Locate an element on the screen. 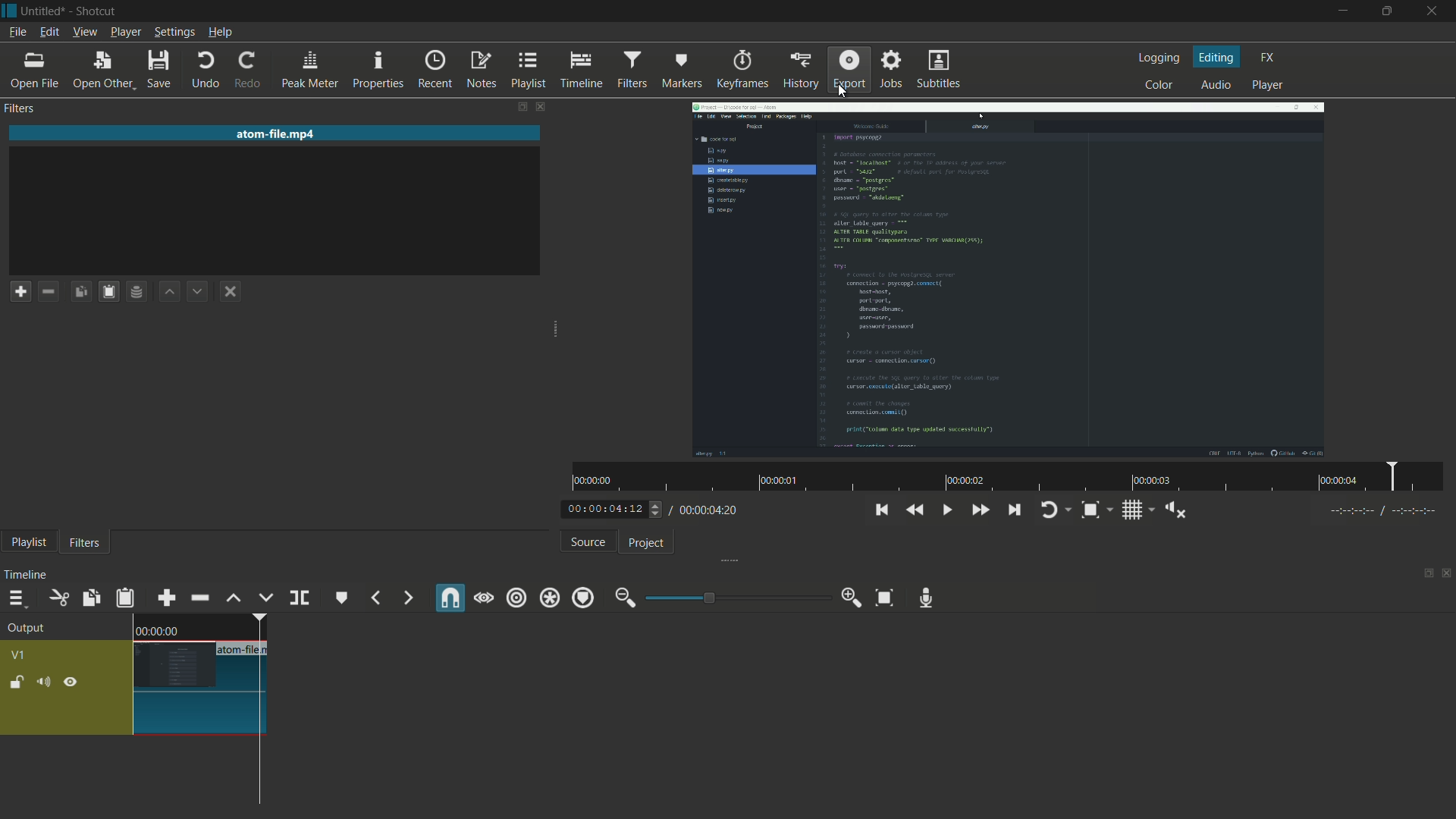 The width and height of the screenshot is (1456, 819). playlist is located at coordinates (527, 71).